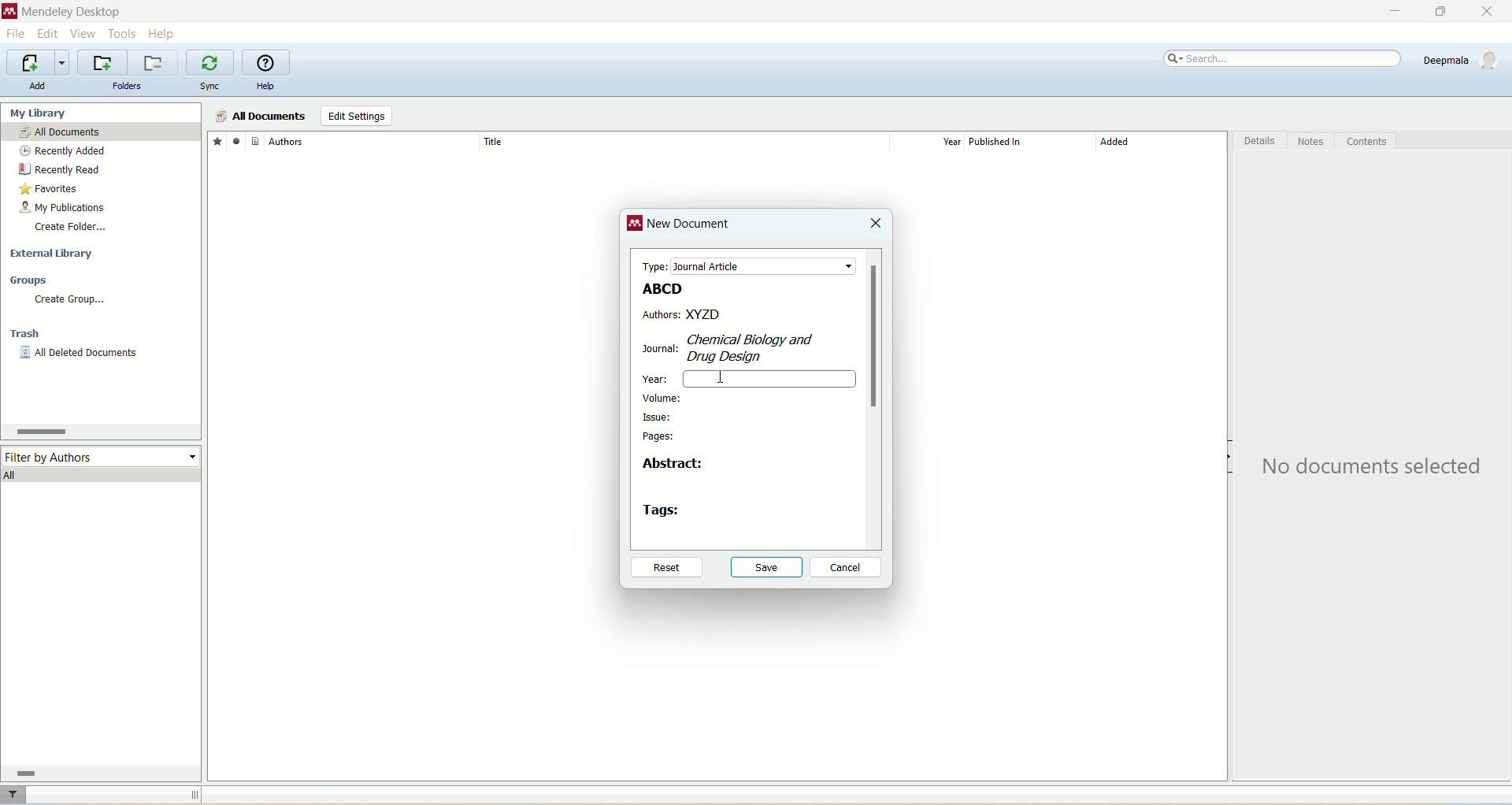 Image resolution: width=1512 pixels, height=805 pixels. Describe the element at coordinates (50, 191) in the screenshot. I see `favorites` at that location.